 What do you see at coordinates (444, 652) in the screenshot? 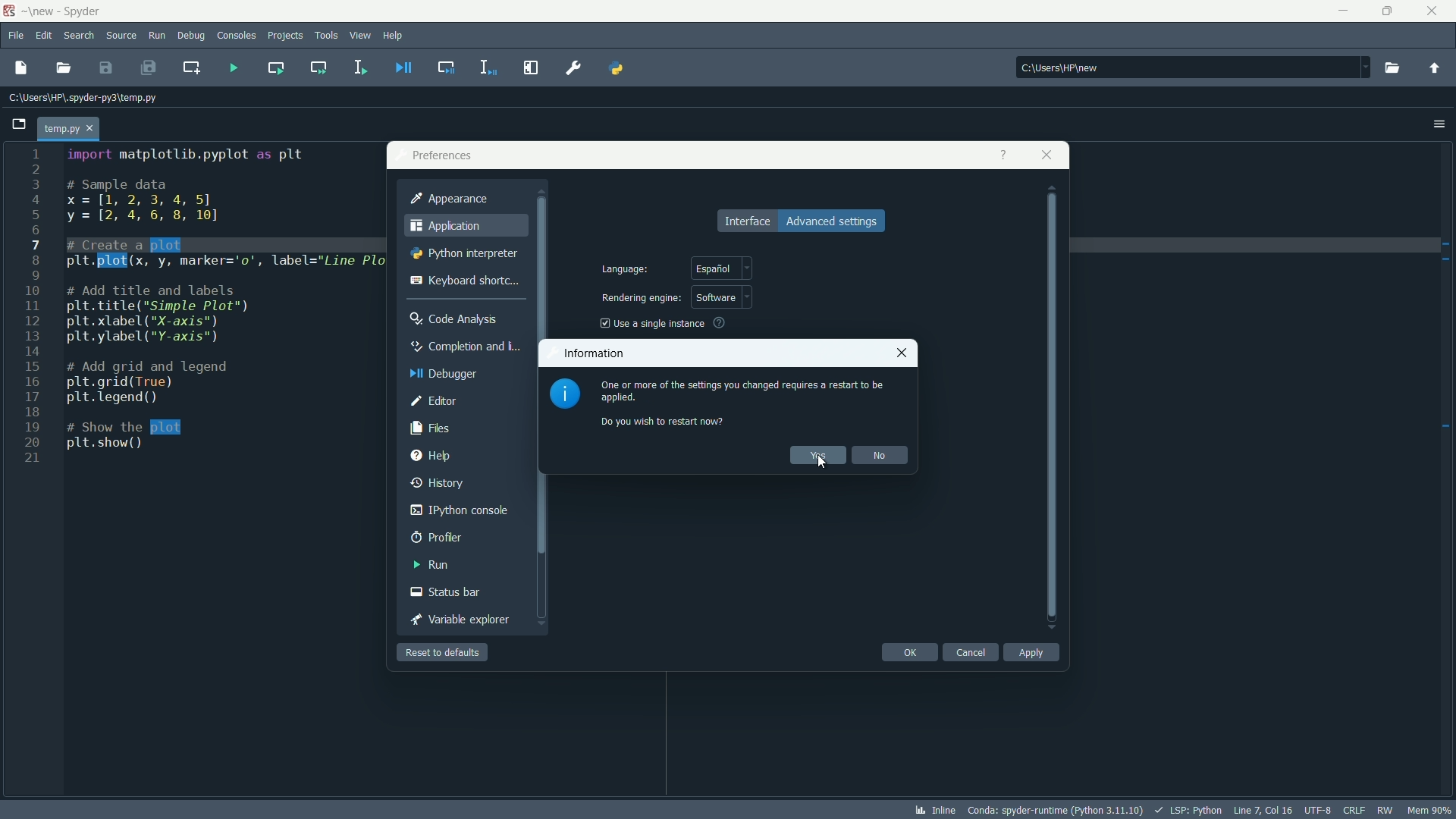
I see `reset to defaults` at bounding box center [444, 652].